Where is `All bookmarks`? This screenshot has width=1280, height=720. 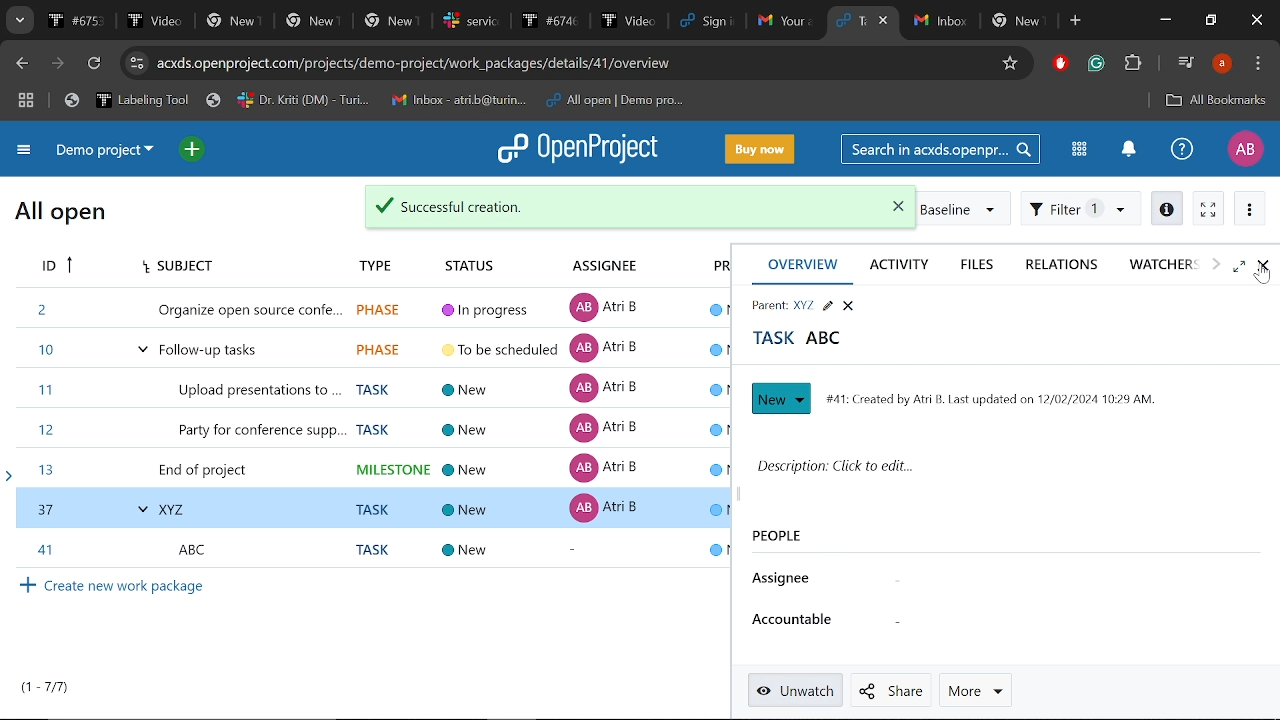 All bookmarks is located at coordinates (1216, 102).